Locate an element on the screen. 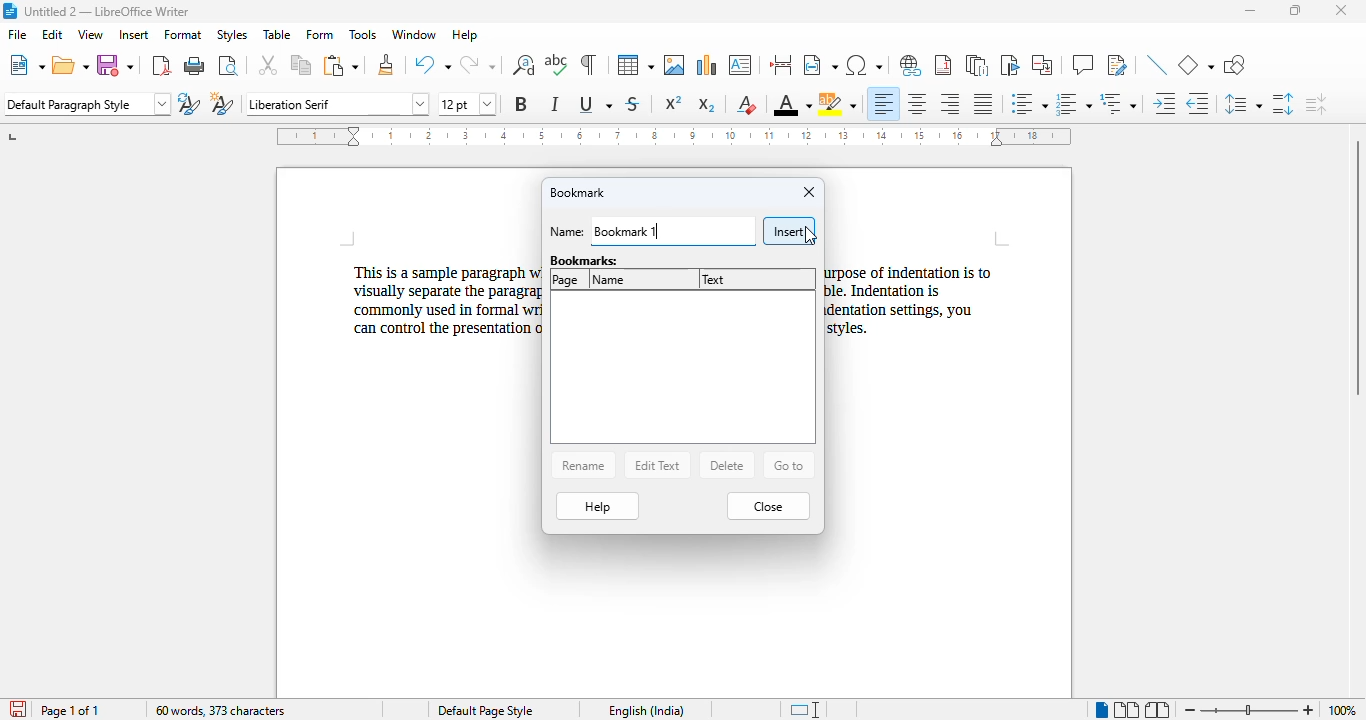 The image size is (1366, 720). underline is located at coordinates (595, 103).